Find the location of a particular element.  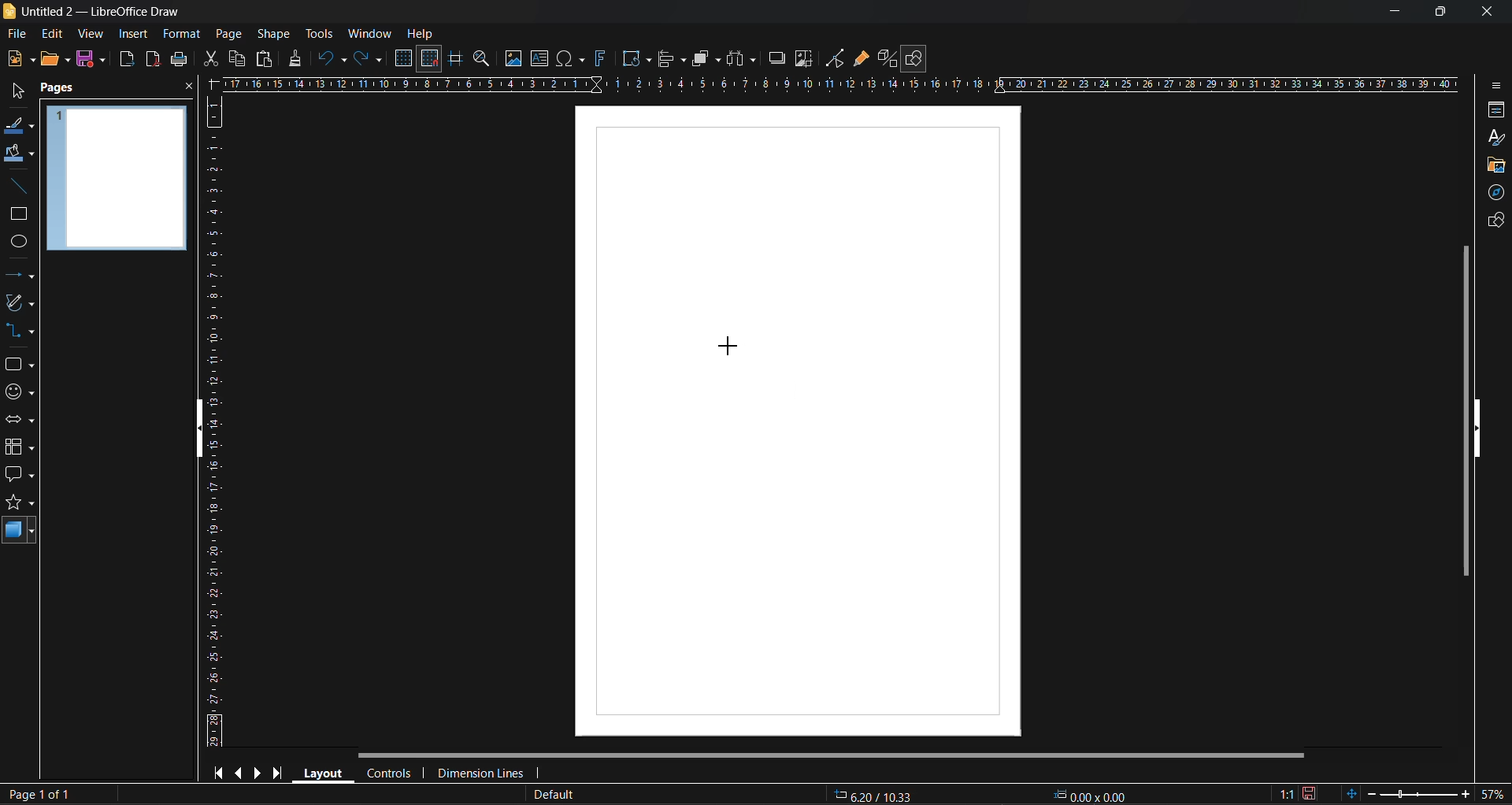

curves and polygons is located at coordinates (18, 304).